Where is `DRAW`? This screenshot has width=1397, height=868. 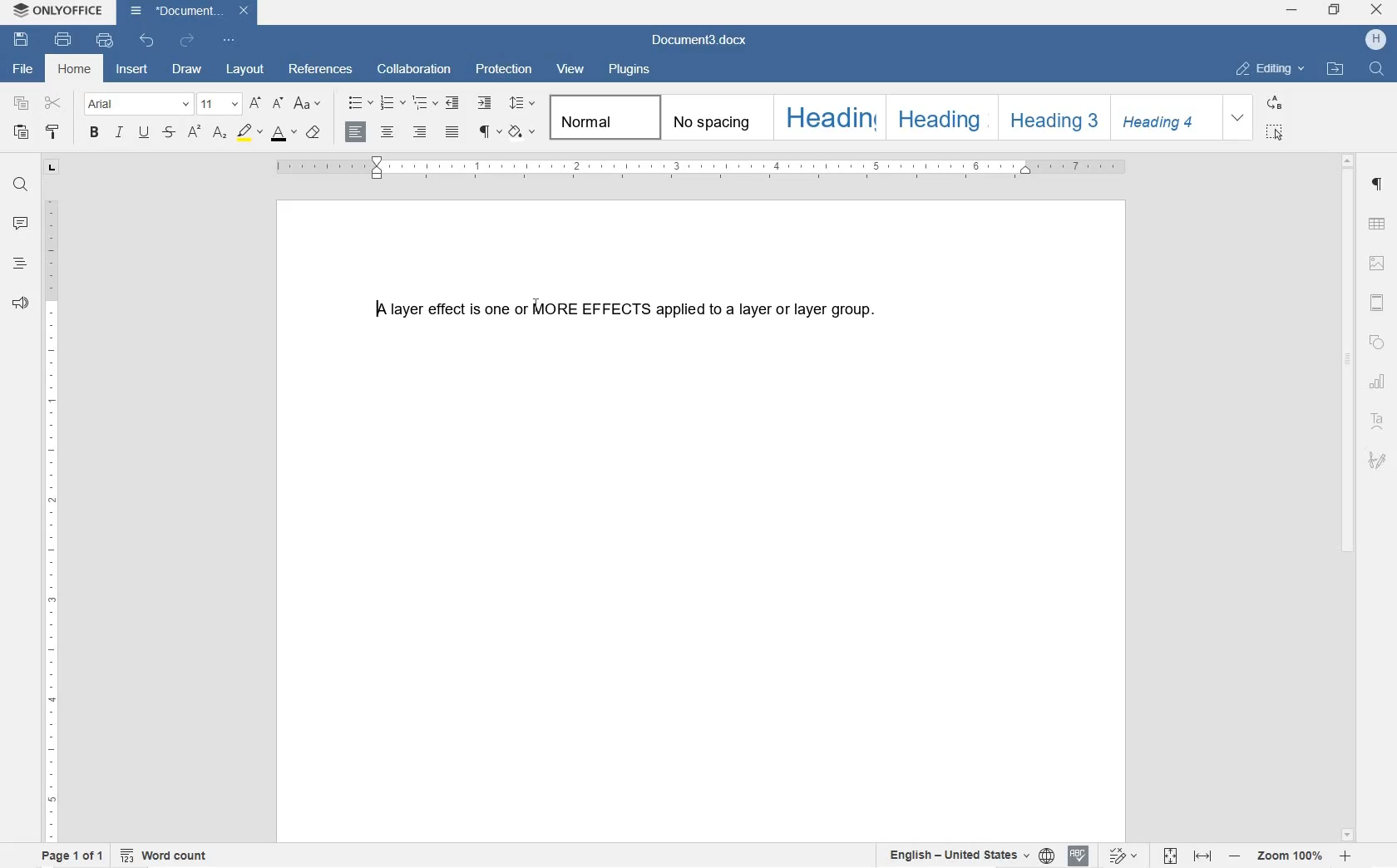
DRAW is located at coordinates (187, 68).